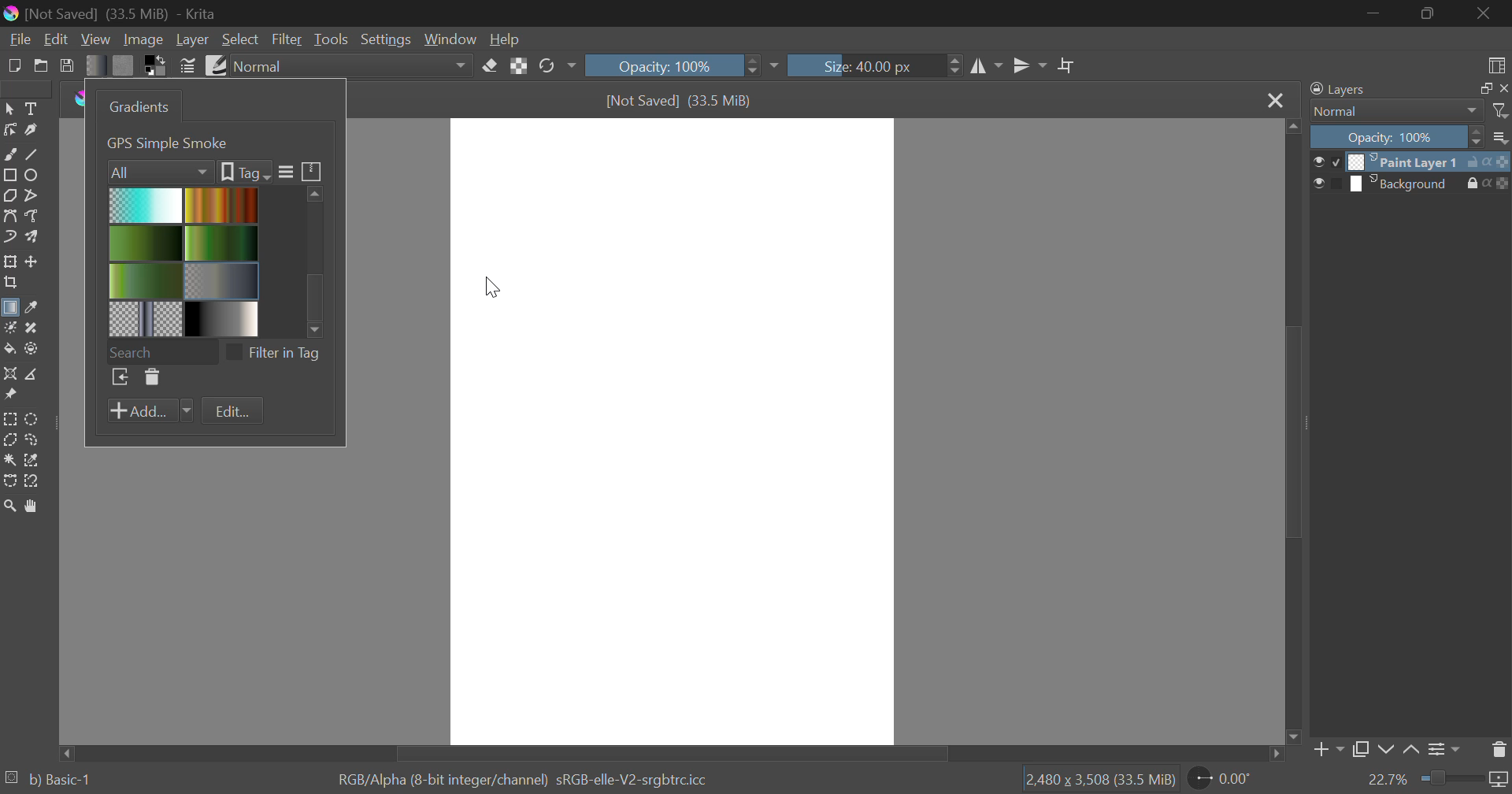  What do you see at coordinates (244, 172) in the screenshot?
I see `Tag` at bounding box center [244, 172].